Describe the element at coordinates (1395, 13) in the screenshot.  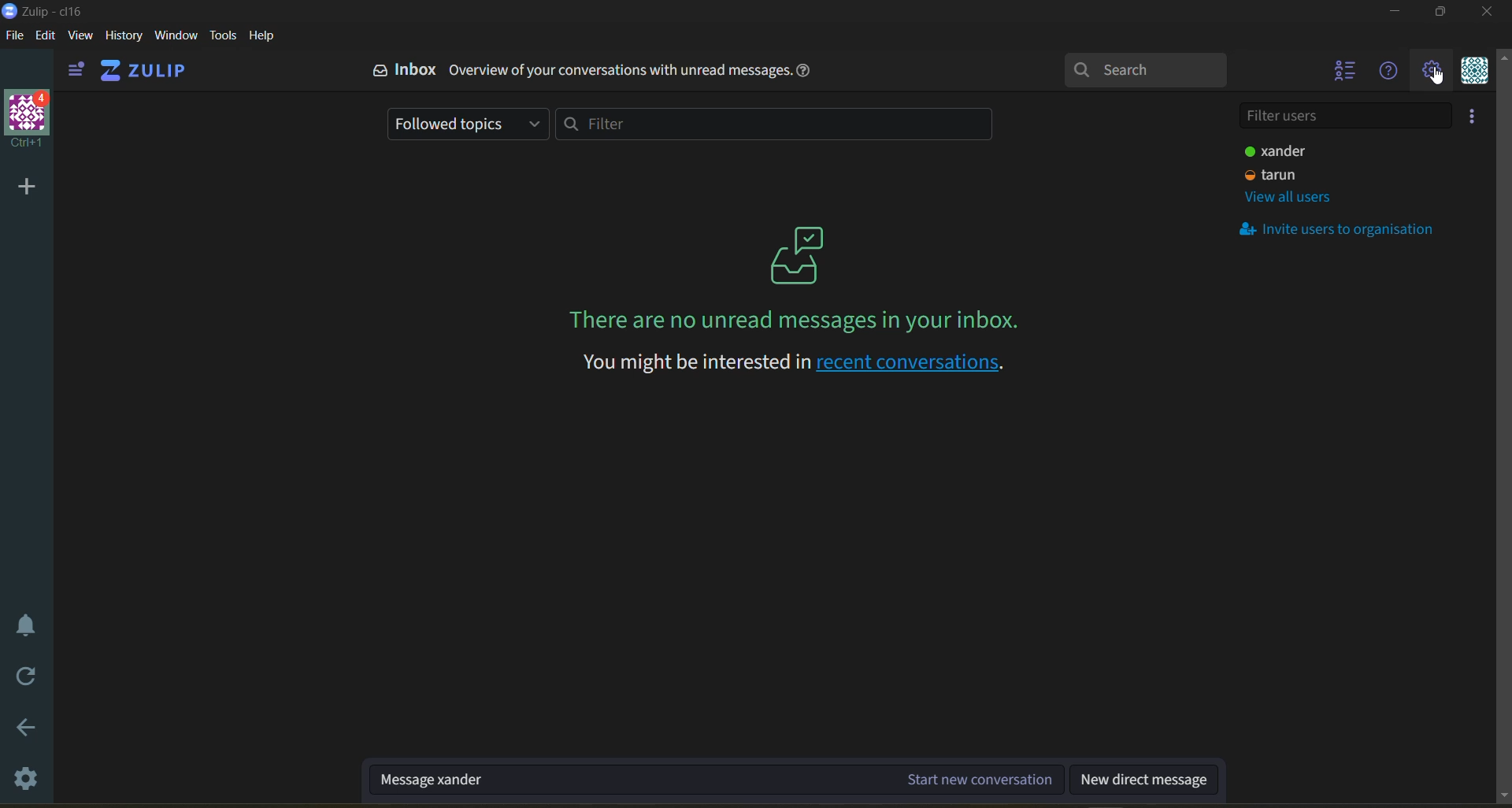
I see `Minimize` at that location.